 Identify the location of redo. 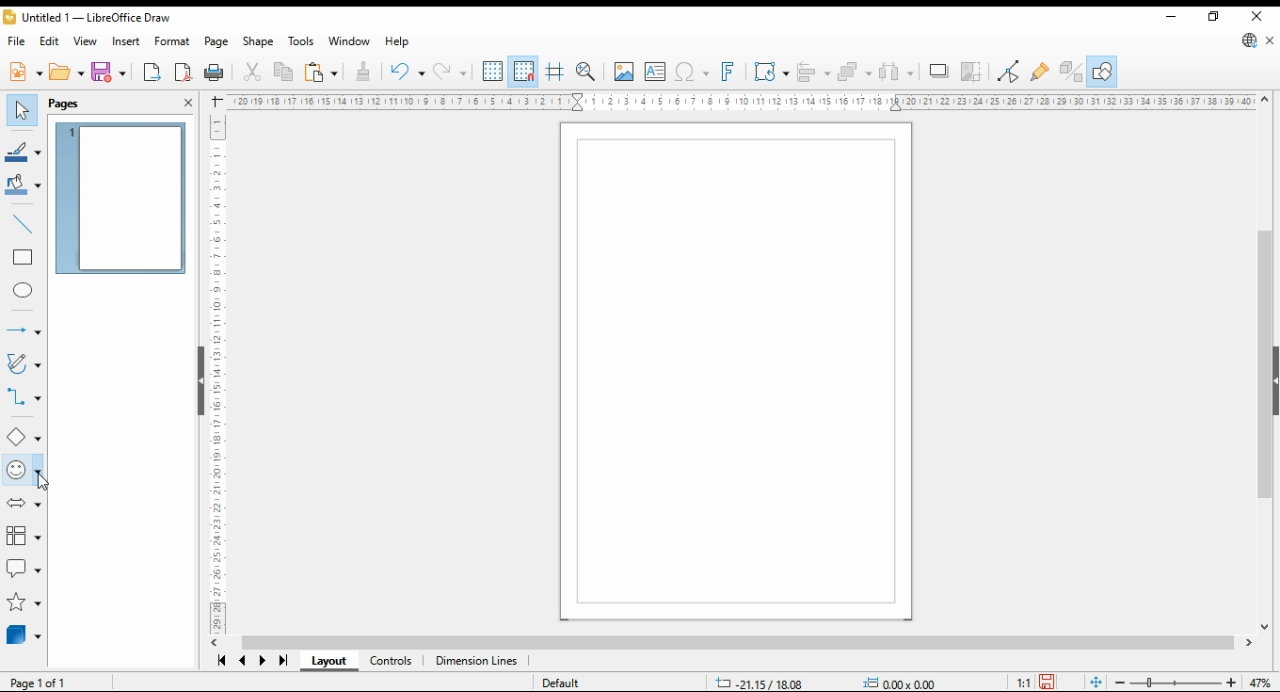
(449, 71).